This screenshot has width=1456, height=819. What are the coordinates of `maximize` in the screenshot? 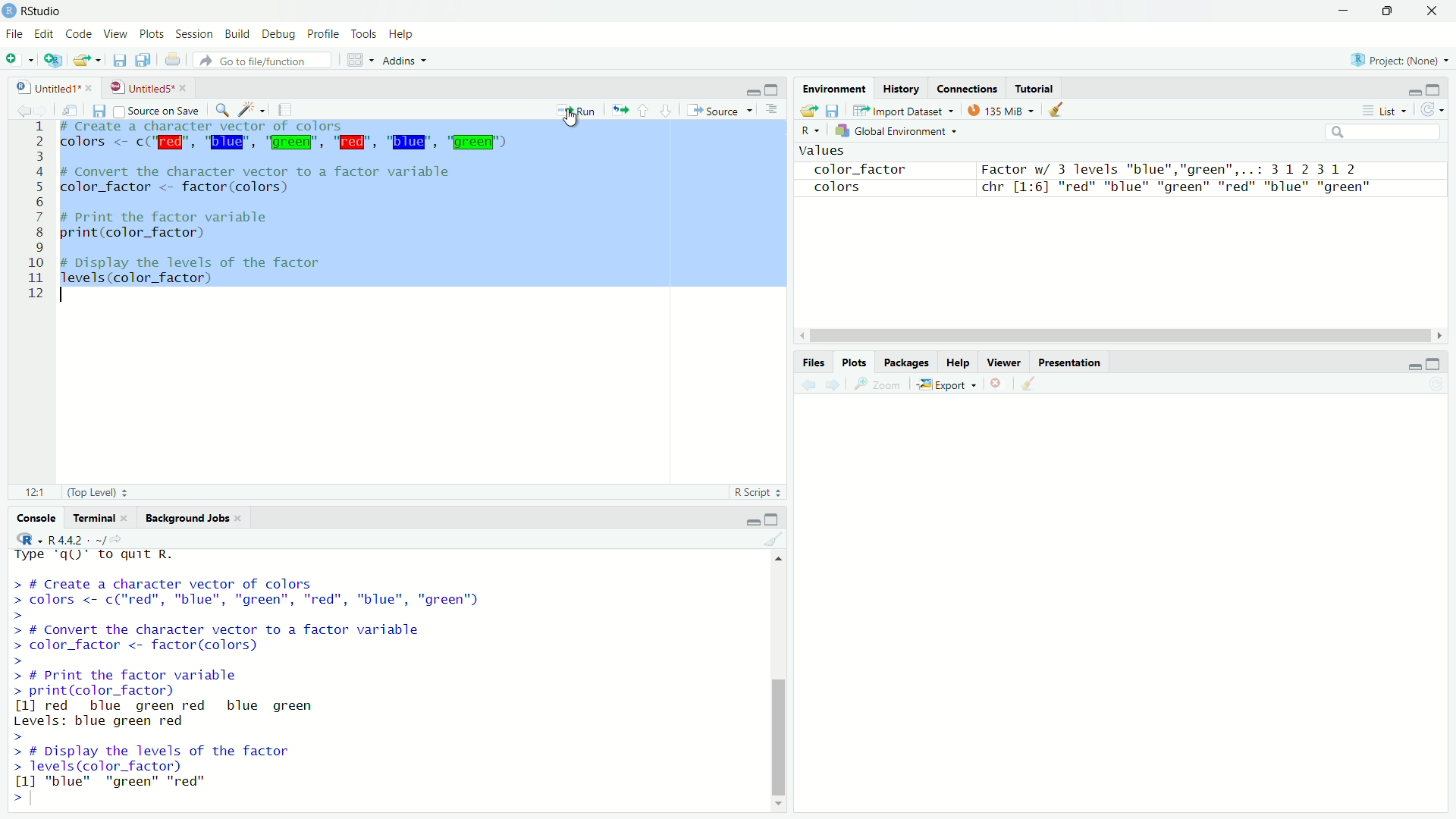 It's located at (1391, 10).